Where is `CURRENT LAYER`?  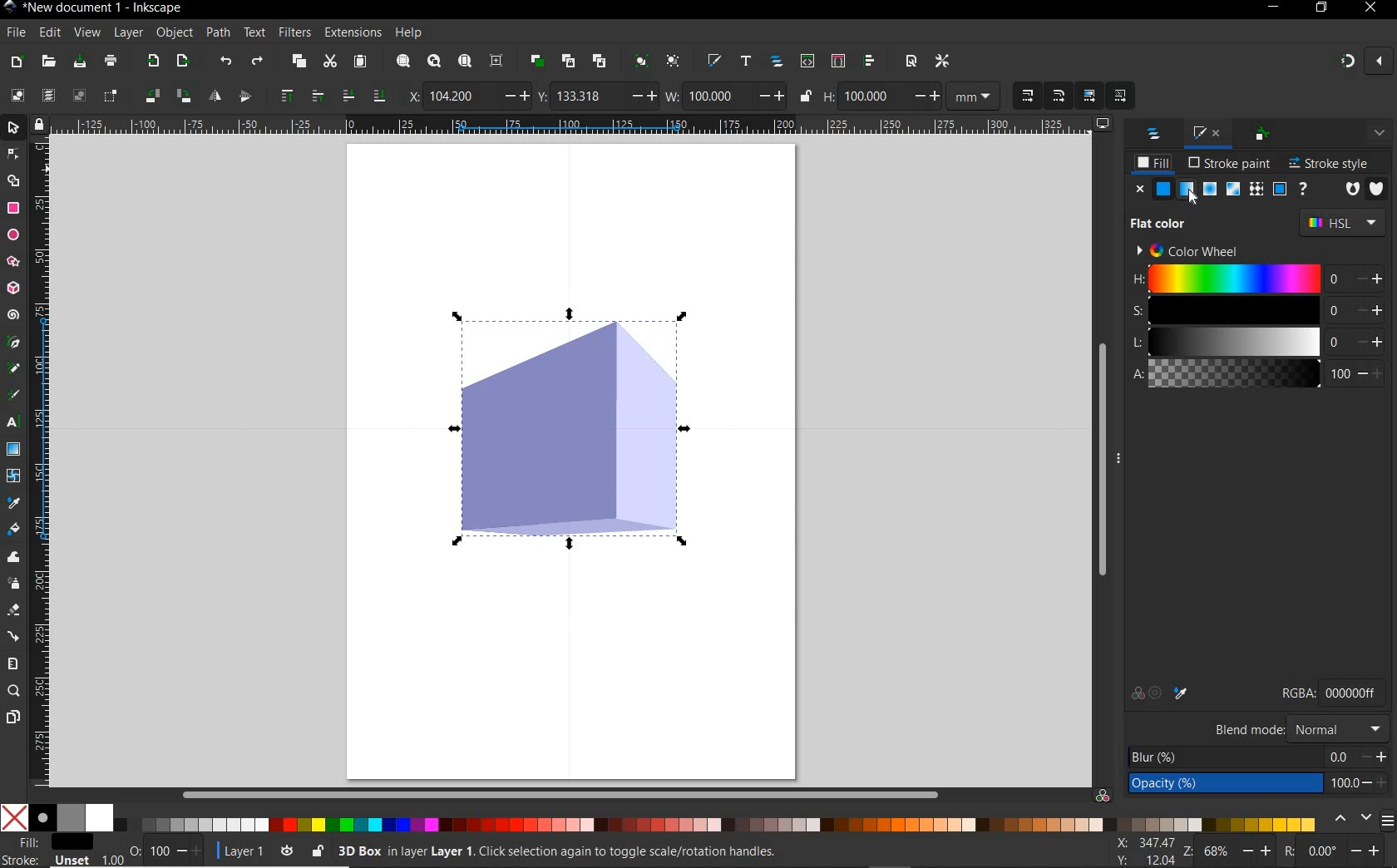
CURRENT LAYER is located at coordinates (234, 851).